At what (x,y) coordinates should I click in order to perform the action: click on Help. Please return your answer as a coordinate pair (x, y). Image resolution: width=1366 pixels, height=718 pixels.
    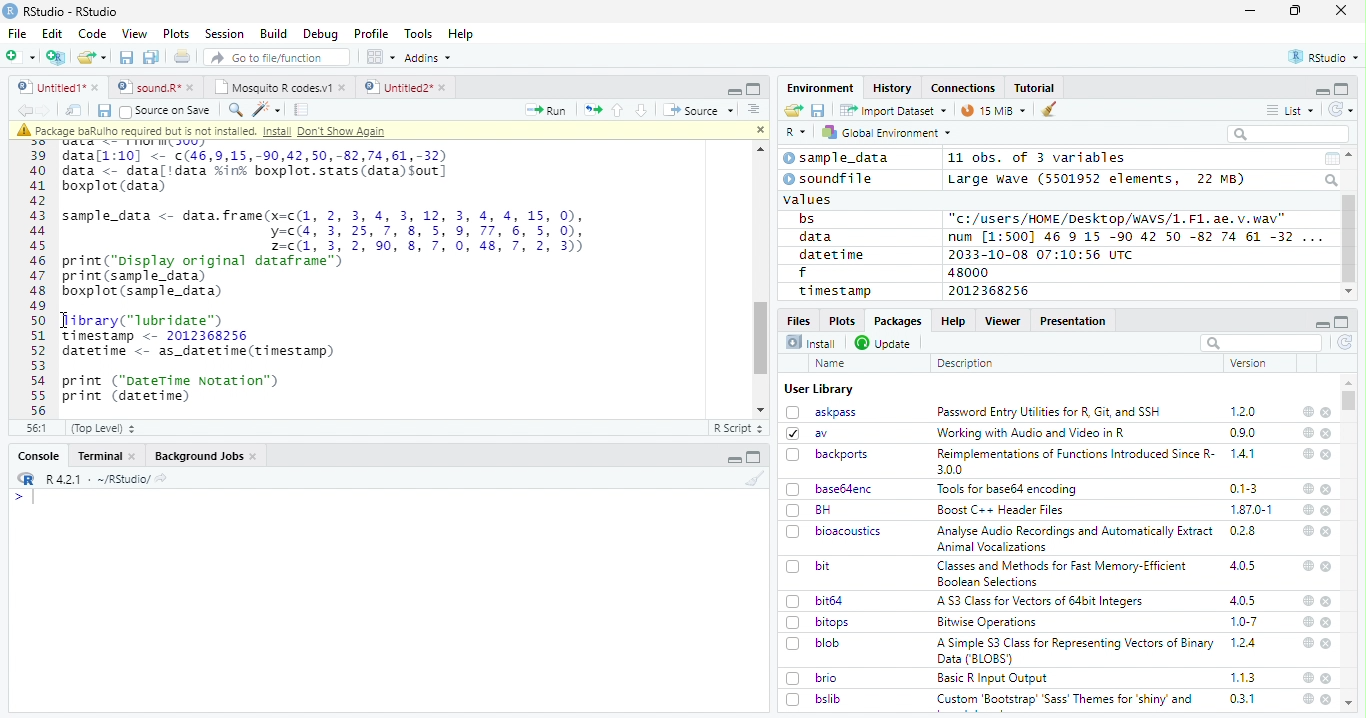
    Looking at the image, I should click on (952, 320).